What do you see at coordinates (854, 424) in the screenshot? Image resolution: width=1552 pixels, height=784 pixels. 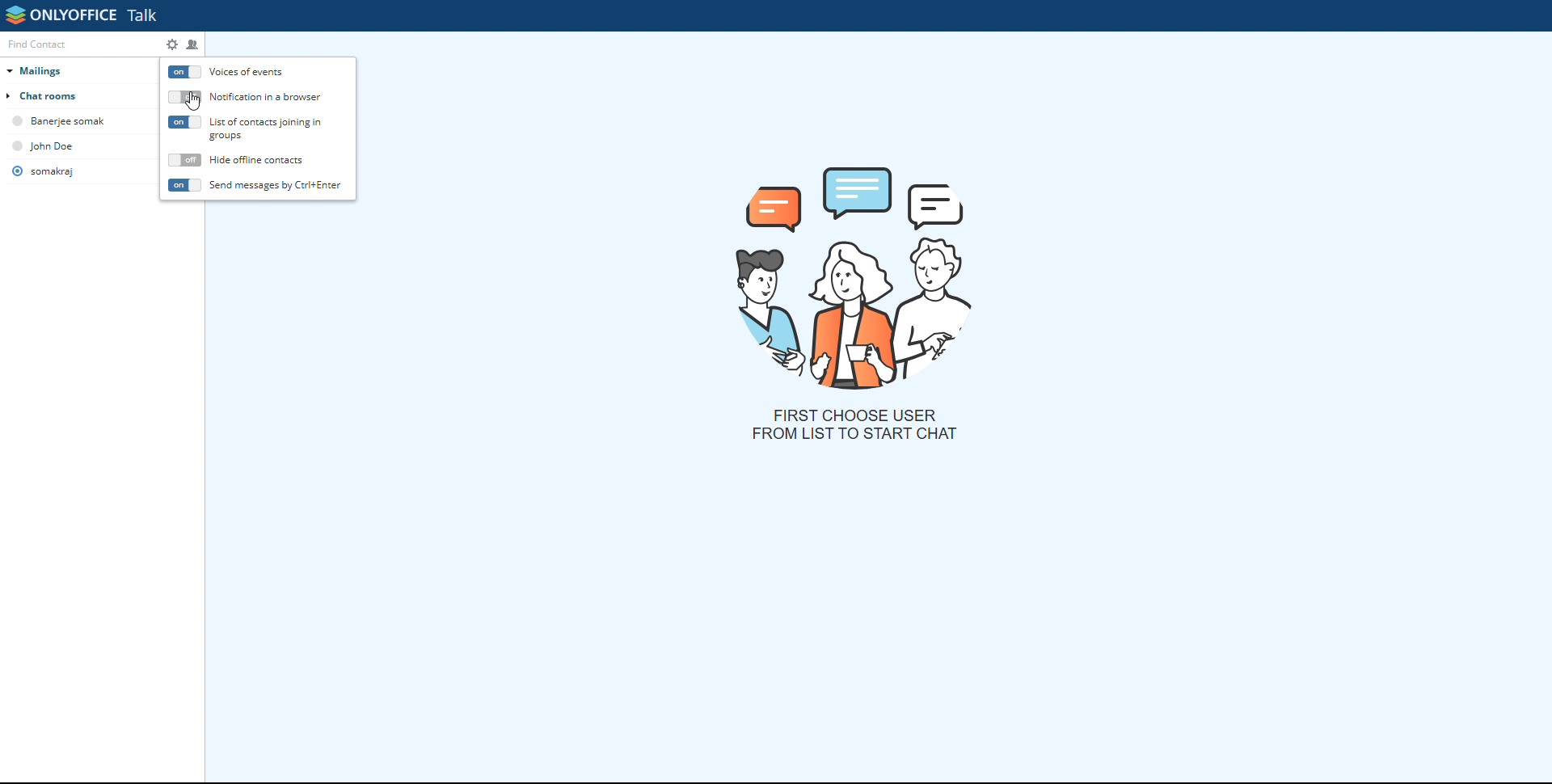 I see `first choose user from list to start chat` at bounding box center [854, 424].